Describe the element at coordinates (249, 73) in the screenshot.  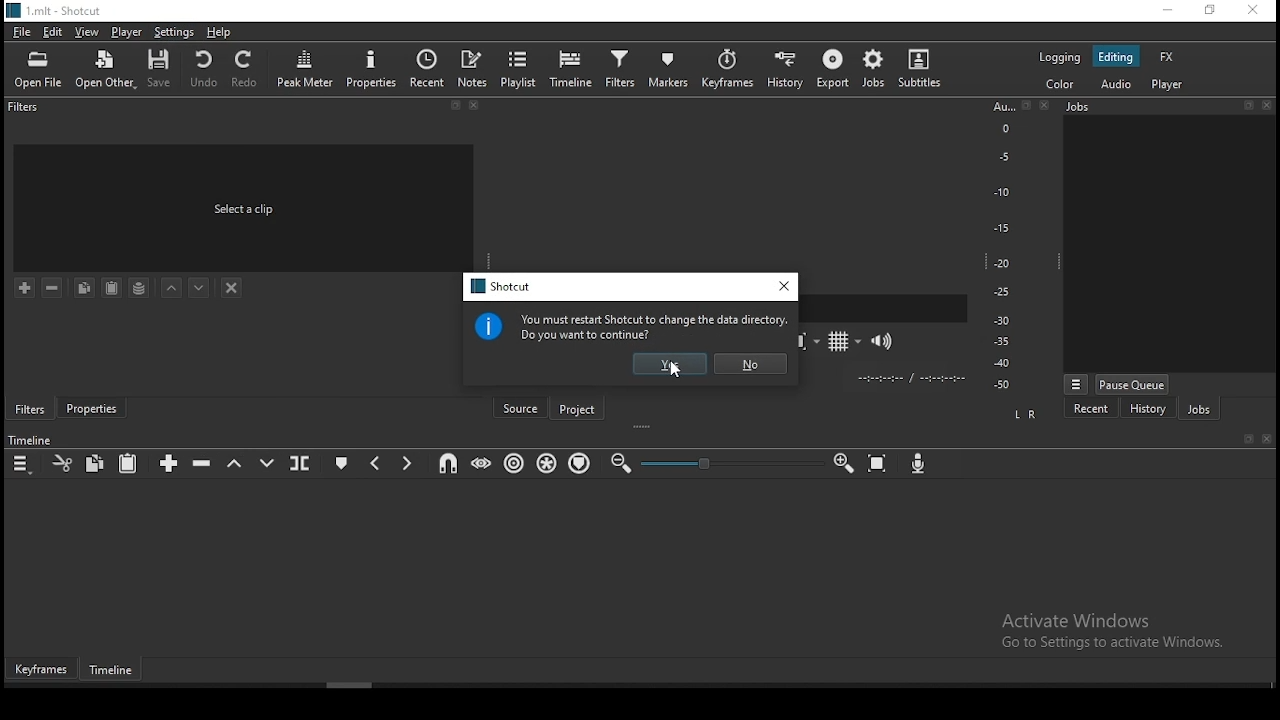
I see `redo` at that location.